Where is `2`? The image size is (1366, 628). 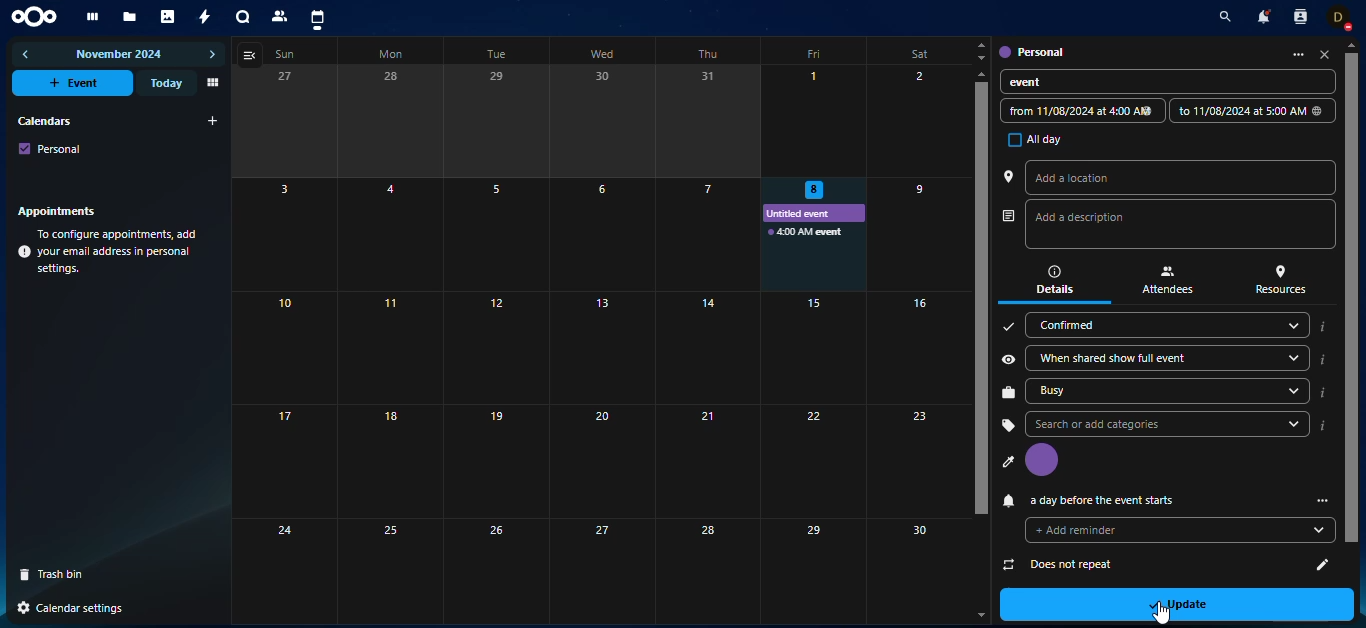 2 is located at coordinates (918, 121).